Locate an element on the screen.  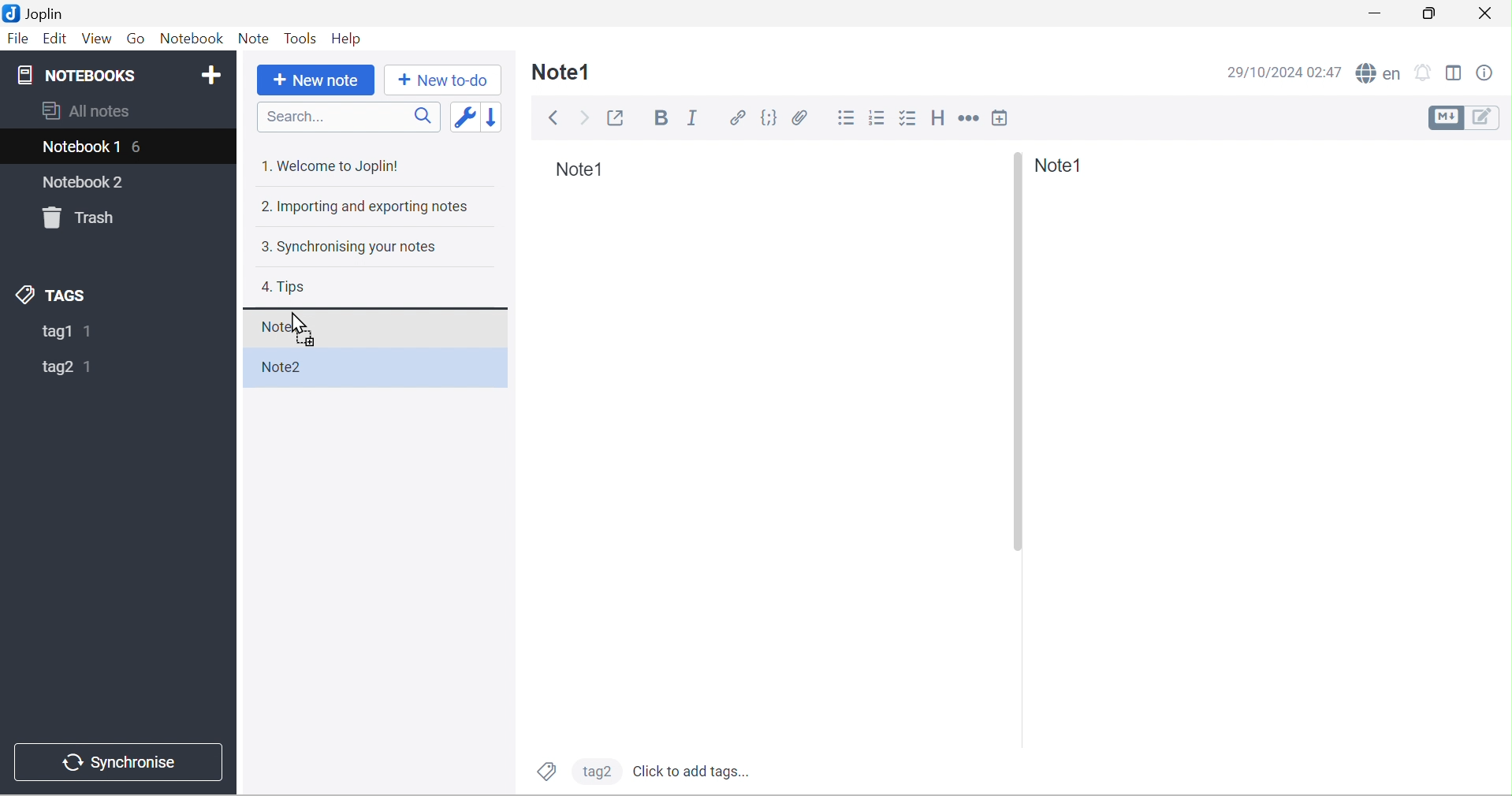
Numbered list is located at coordinates (879, 120).